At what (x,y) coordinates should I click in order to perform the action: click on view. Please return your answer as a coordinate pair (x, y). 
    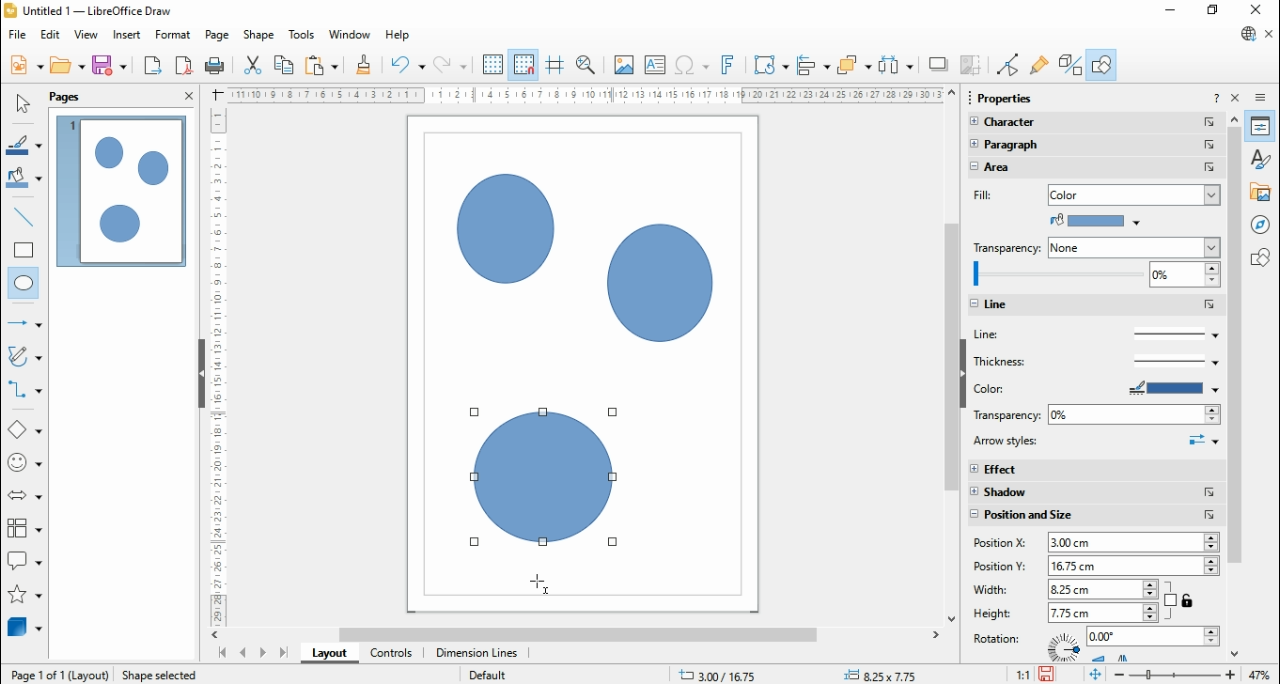
    Looking at the image, I should click on (86, 34).